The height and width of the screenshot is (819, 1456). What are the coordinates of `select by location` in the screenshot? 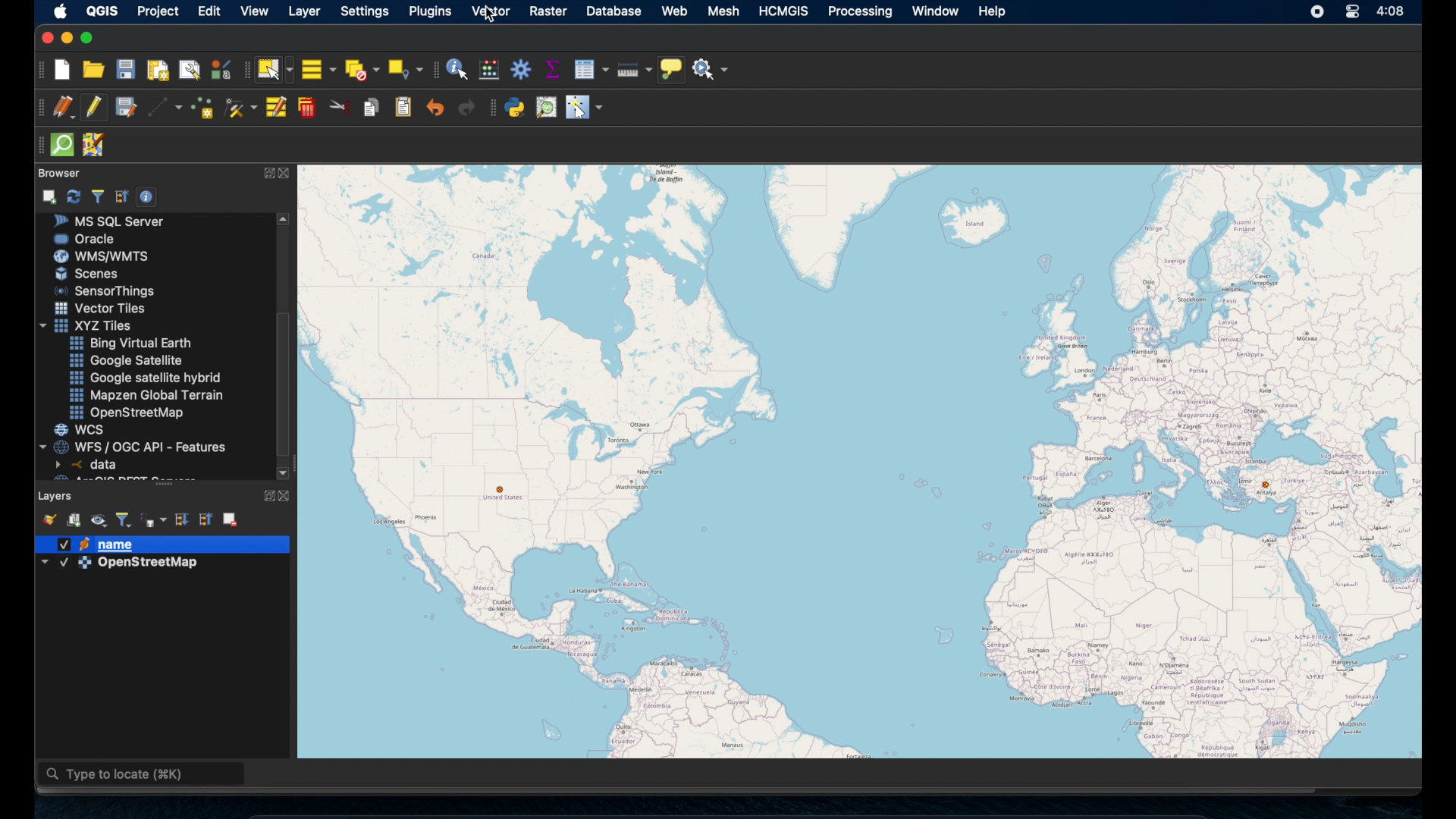 It's located at (406, 67).